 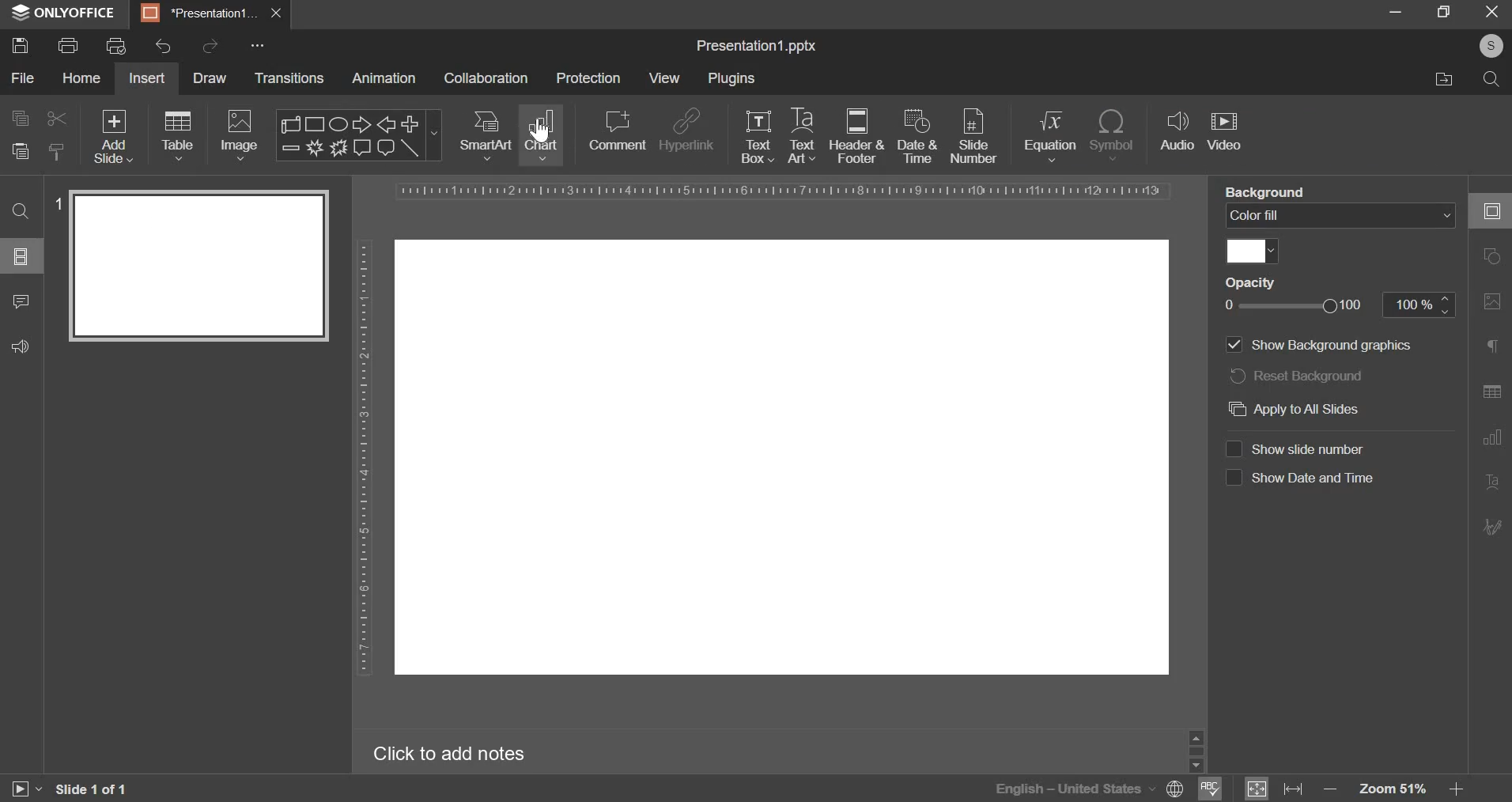 I want to click on feedback, so click(x=21, y=345).